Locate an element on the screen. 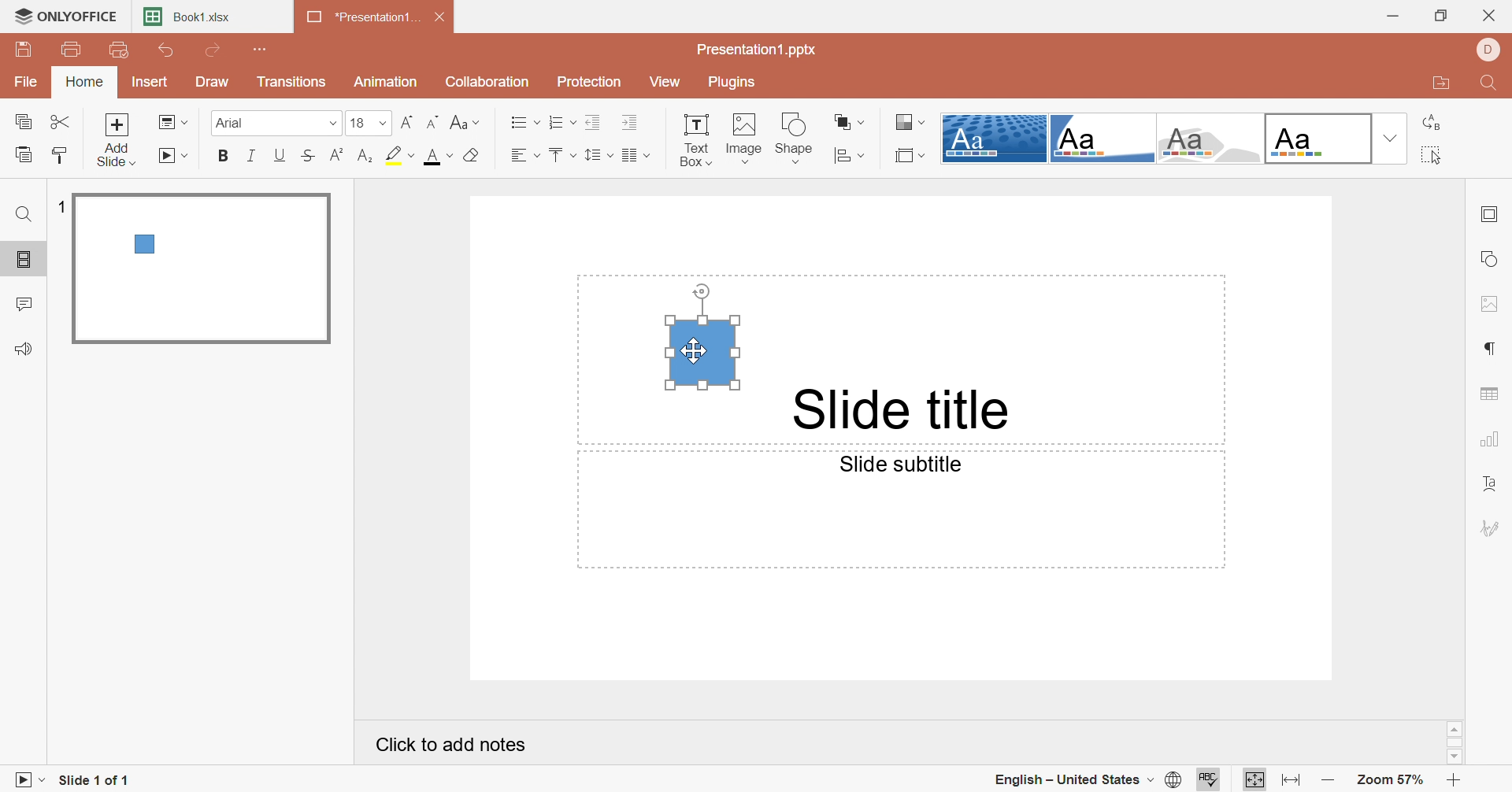  Slide subtitle is located at coordinates (908, 466).